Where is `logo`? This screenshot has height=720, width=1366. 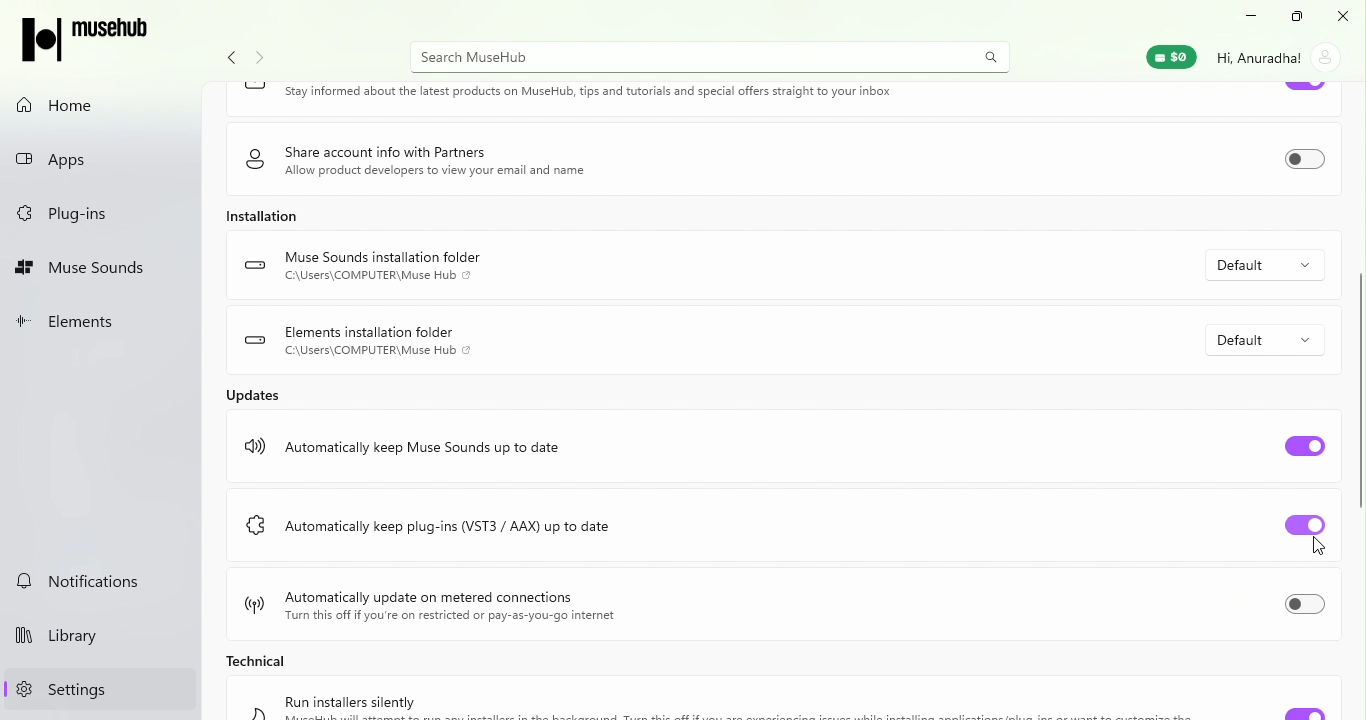
logo is located at coordinates (254, 88).